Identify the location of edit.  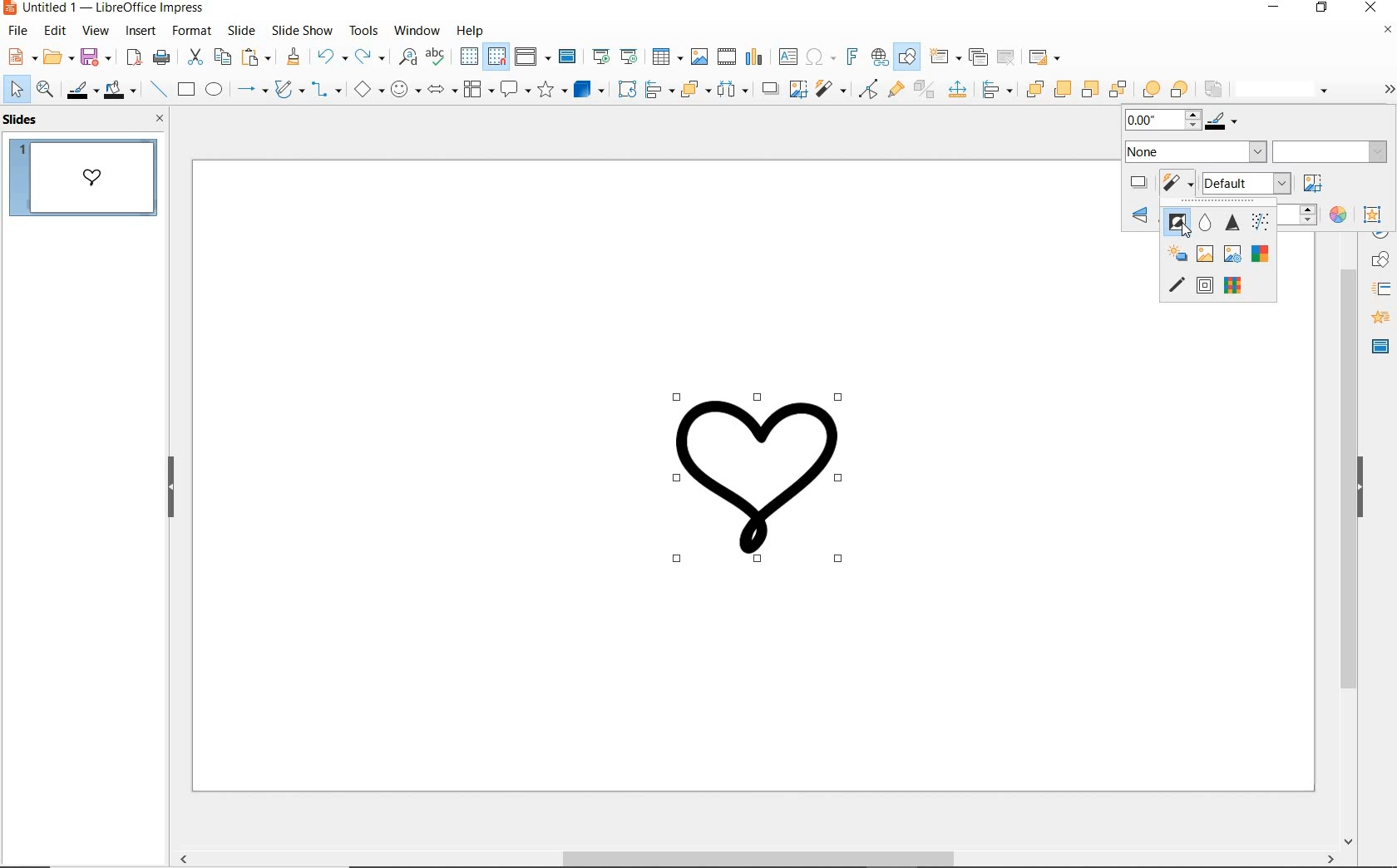
(54, 31).